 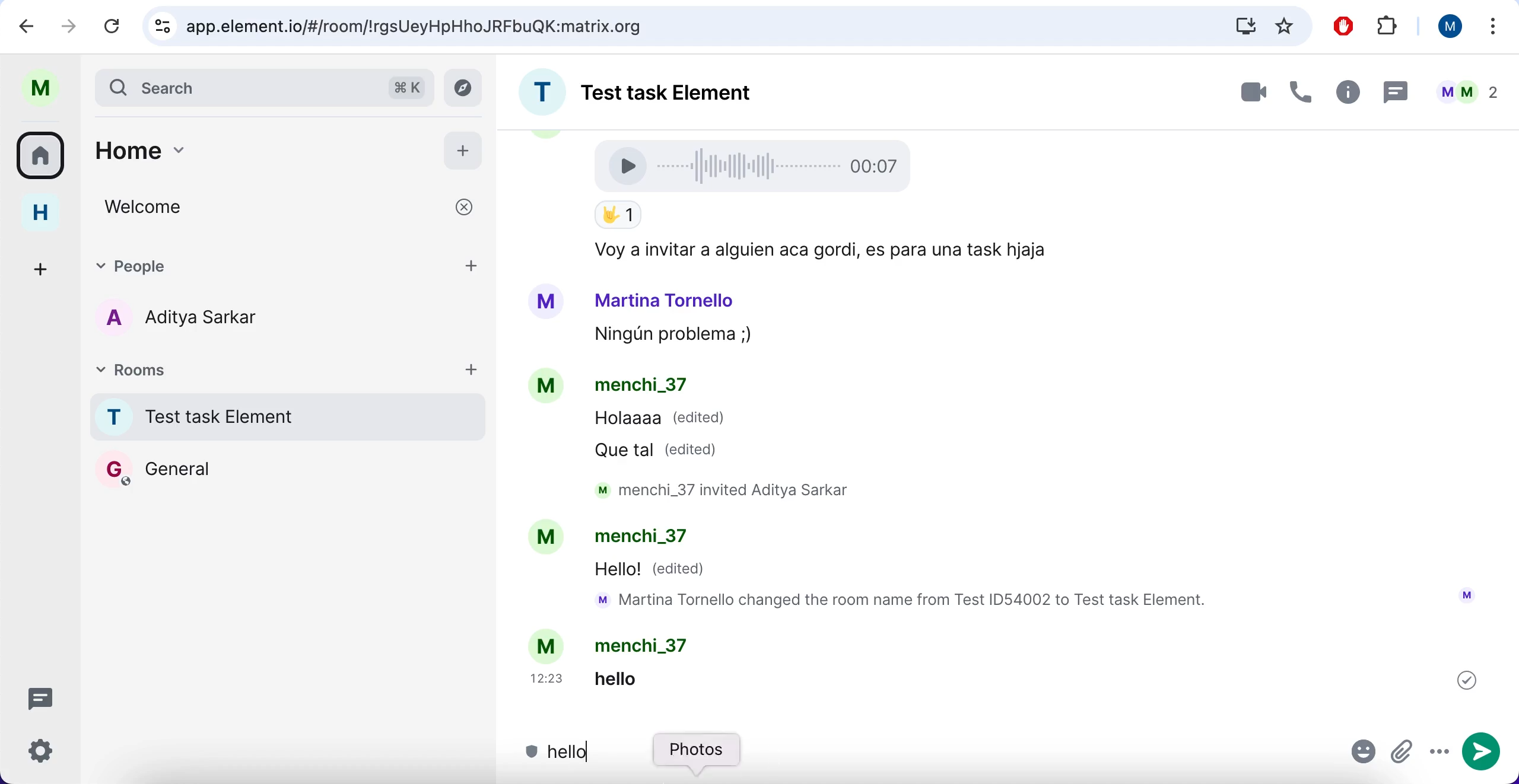 What do you see at coordinates (472, 368) in the screenshot?
I see `add` at bounding box center [472, 368].